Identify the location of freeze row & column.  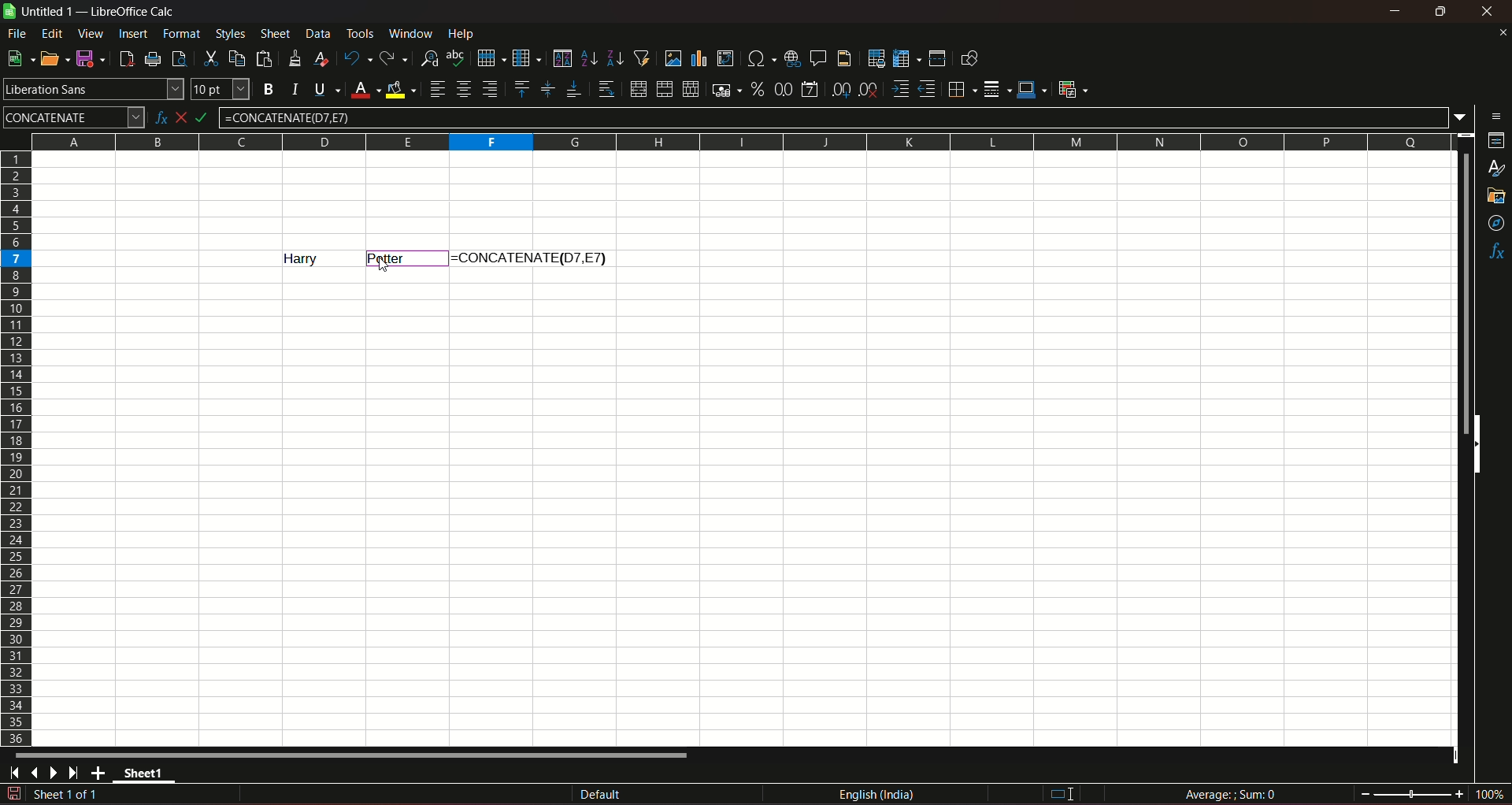
(906, 59).